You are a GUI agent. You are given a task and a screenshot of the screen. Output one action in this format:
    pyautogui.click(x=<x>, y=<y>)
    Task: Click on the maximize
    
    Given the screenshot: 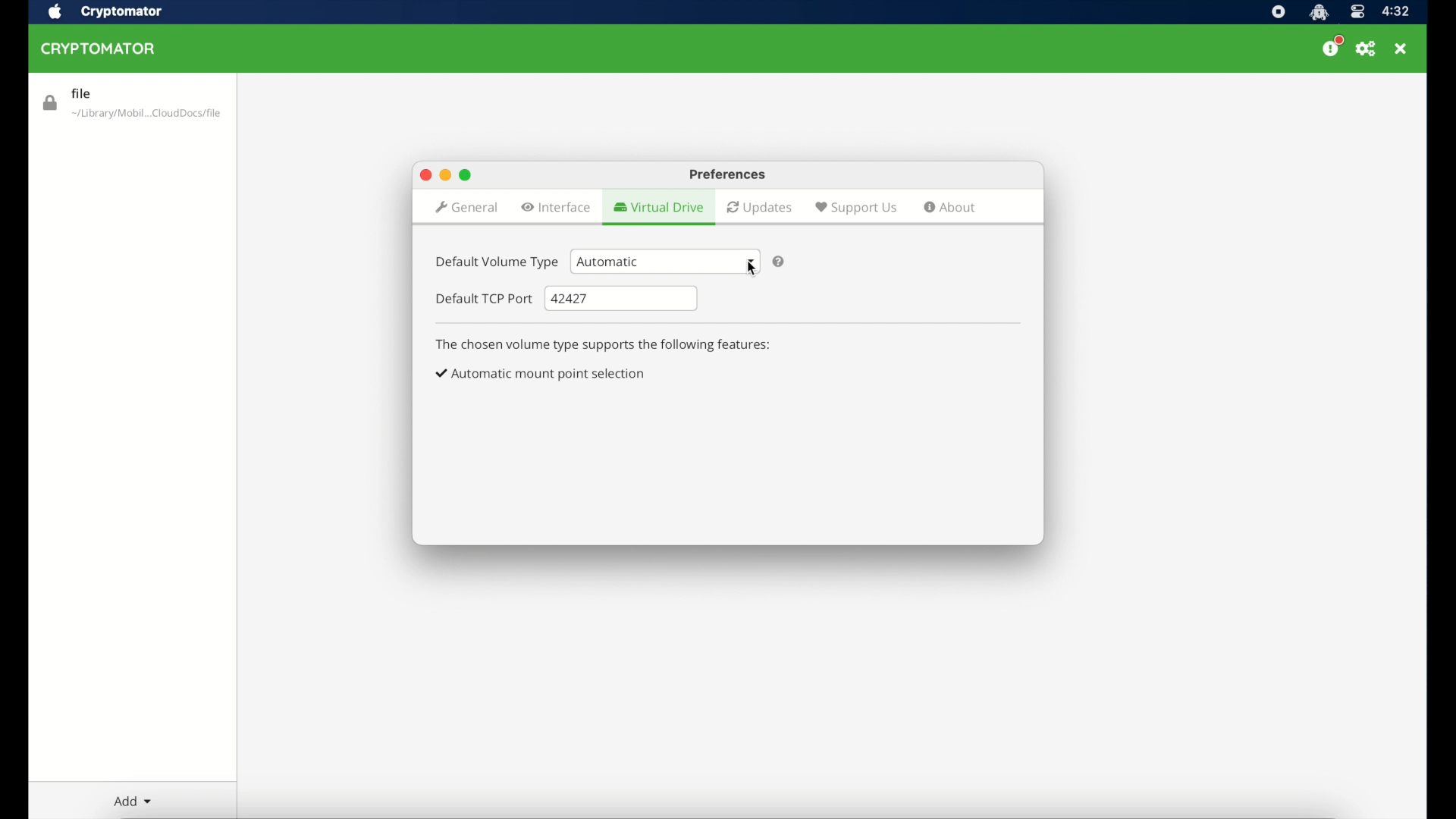 What is the action you would take?
    pyautogui.click(x=467, y=174)
    